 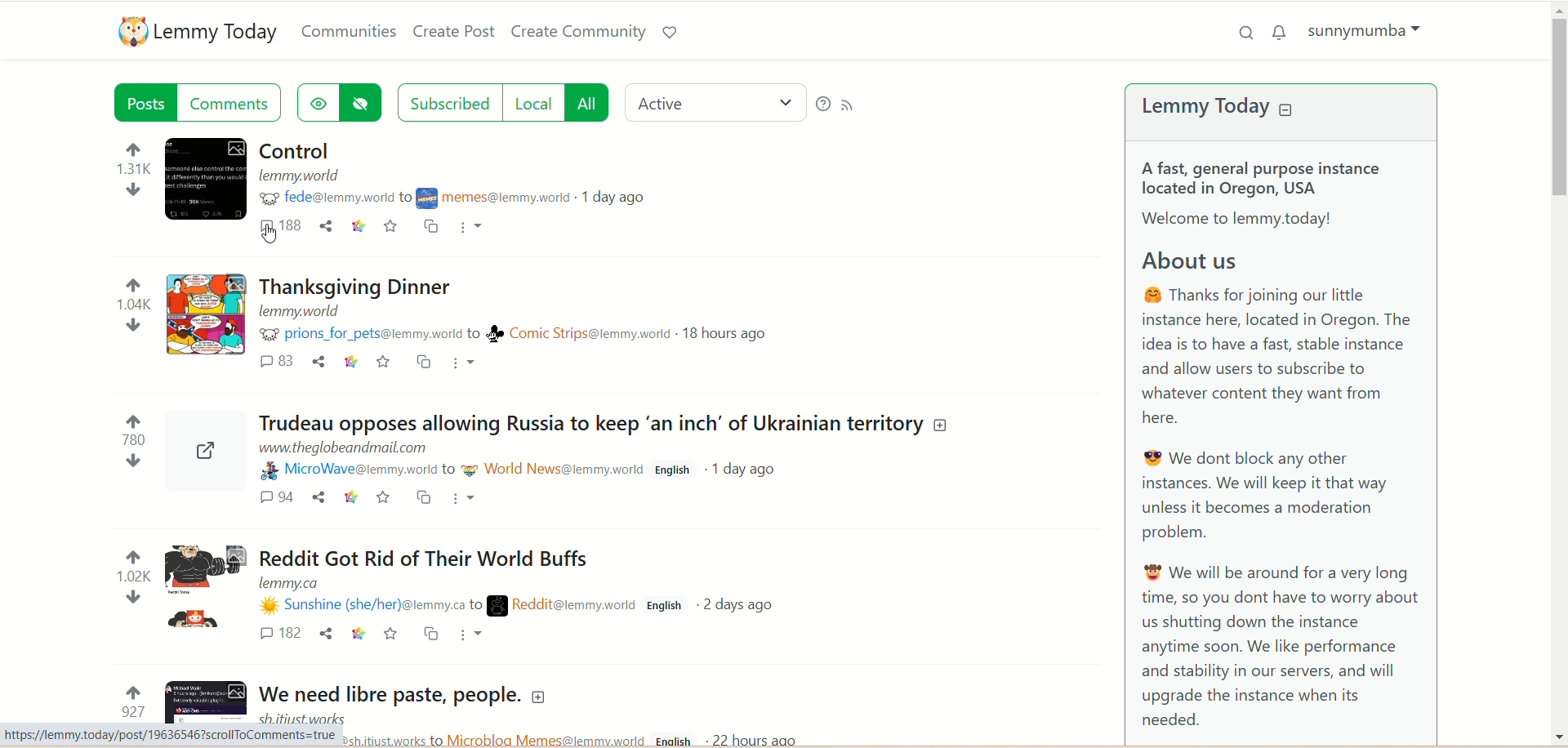 What do you see at coordinates (367, 104) in the screenshot?
I see `hide hidden post` at bounding box center [367, 104].